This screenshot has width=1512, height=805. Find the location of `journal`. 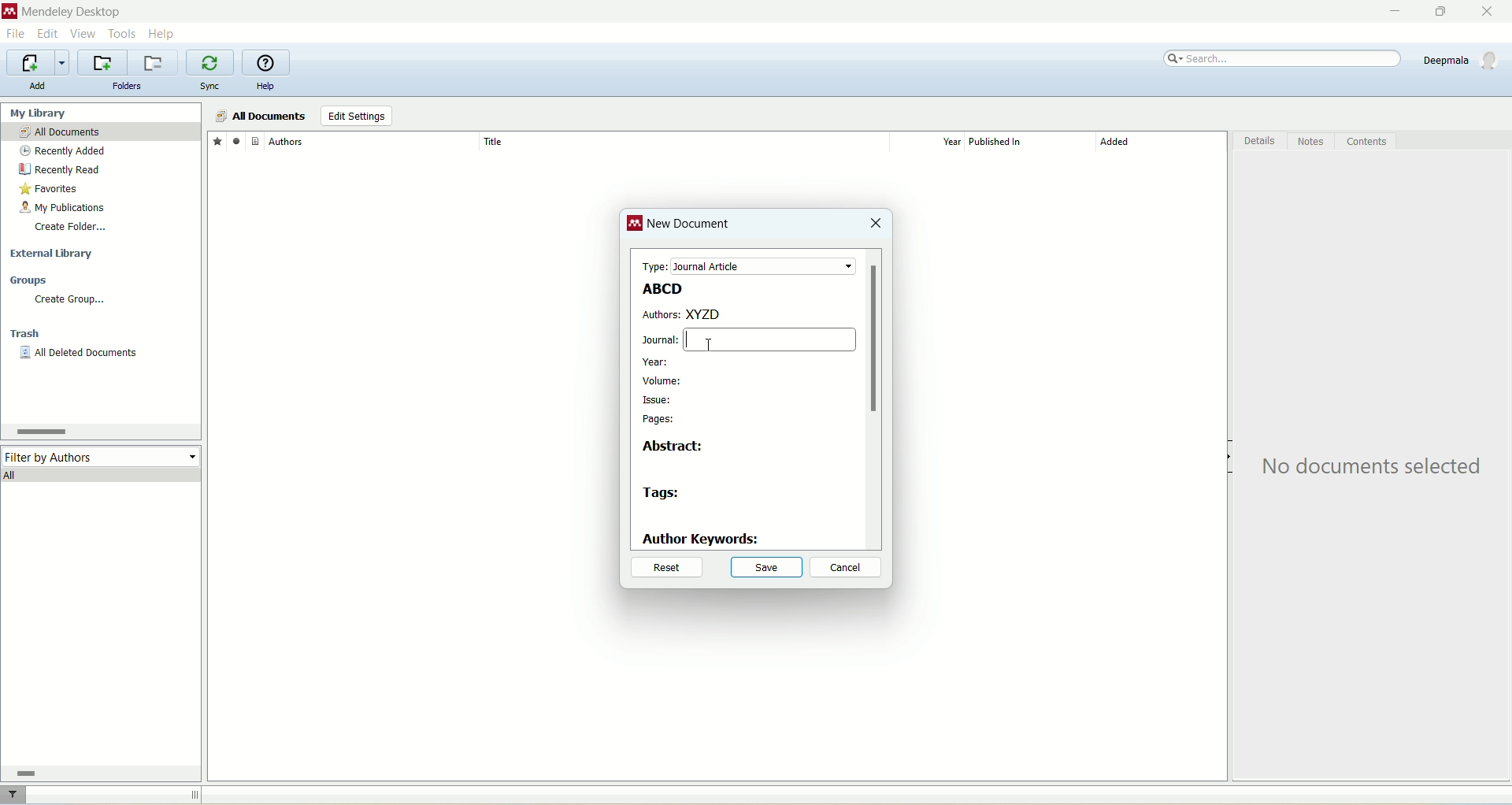

journal is located at coordinates (654, 341).